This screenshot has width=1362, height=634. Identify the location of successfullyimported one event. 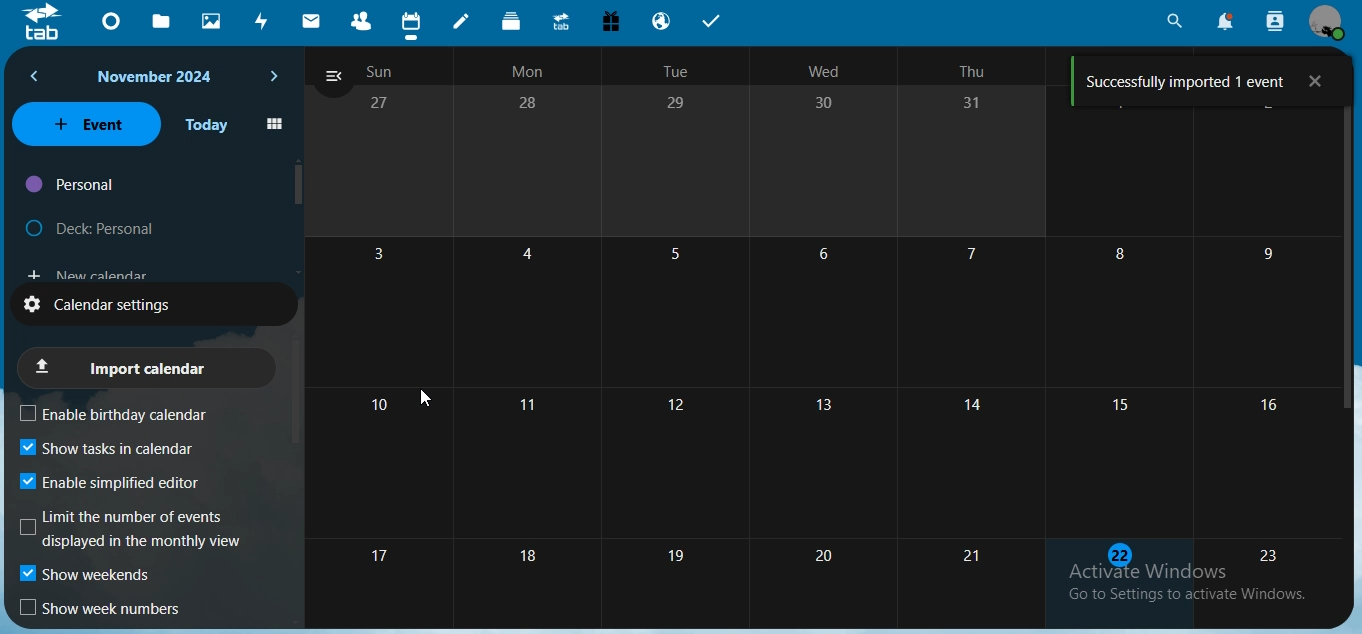
(1188, 78).